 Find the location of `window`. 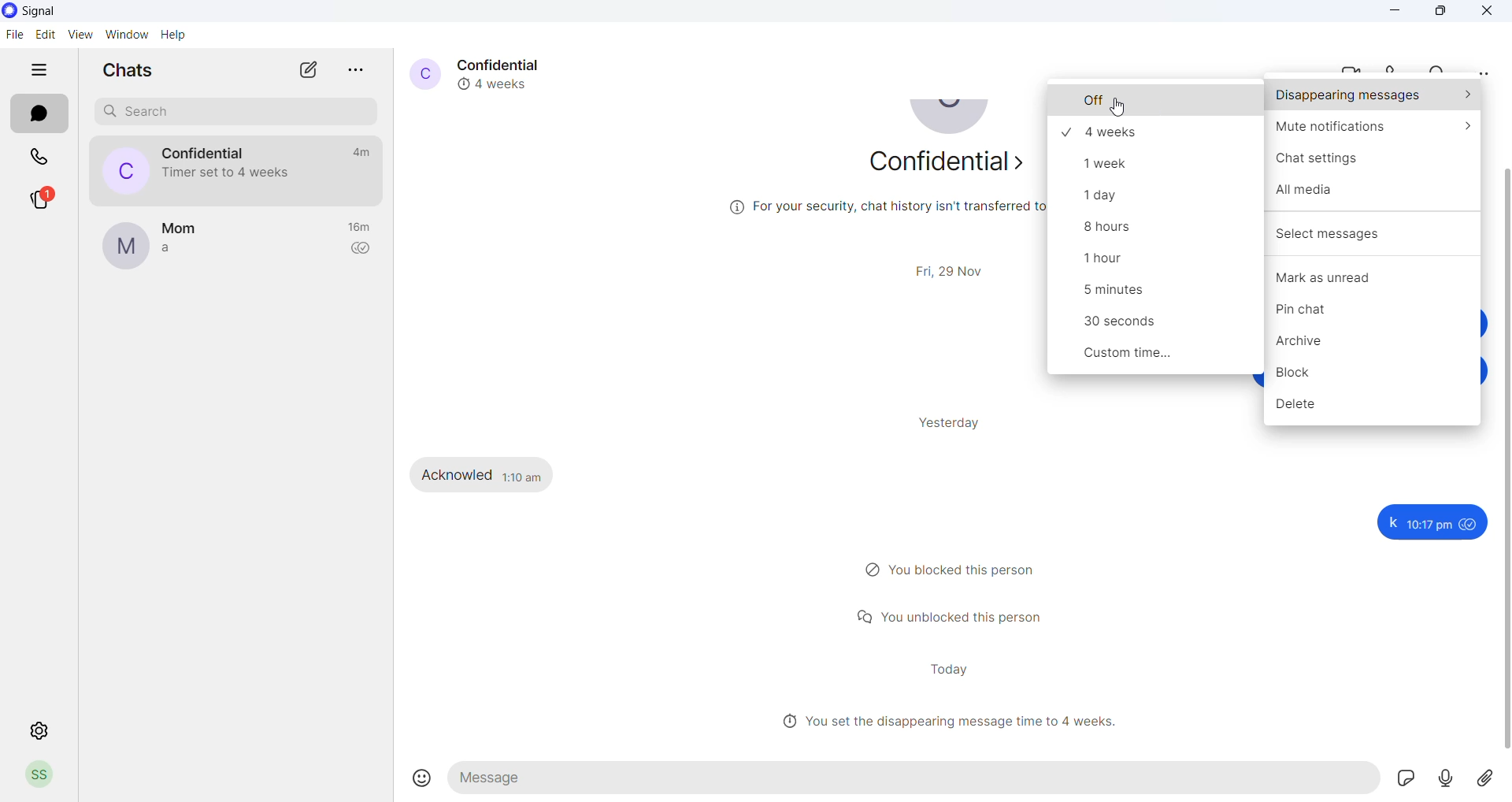

window is located at coordinates (129, 35).